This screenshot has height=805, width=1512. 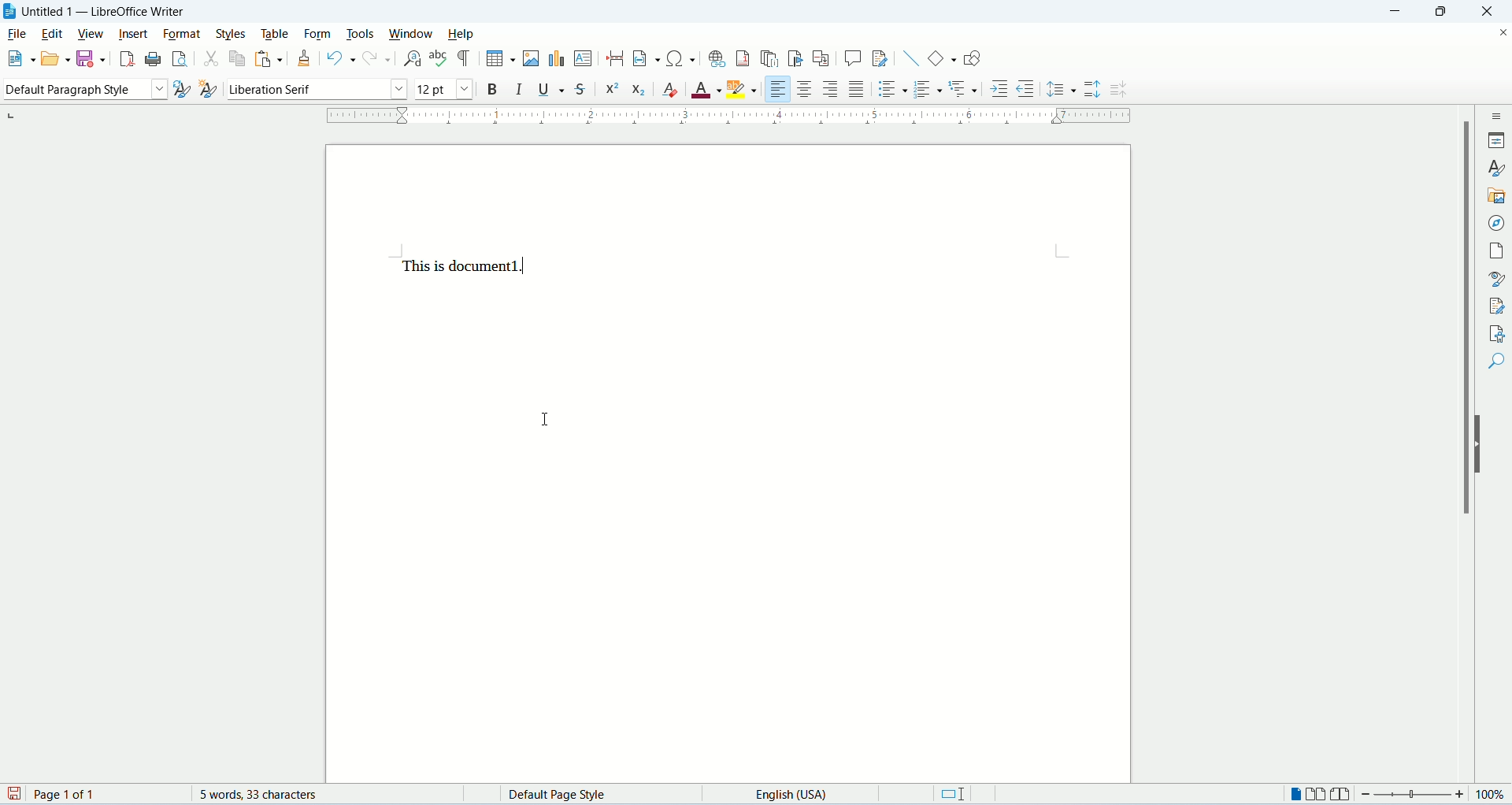 I want to click on paste, so click(x=270, y=58).